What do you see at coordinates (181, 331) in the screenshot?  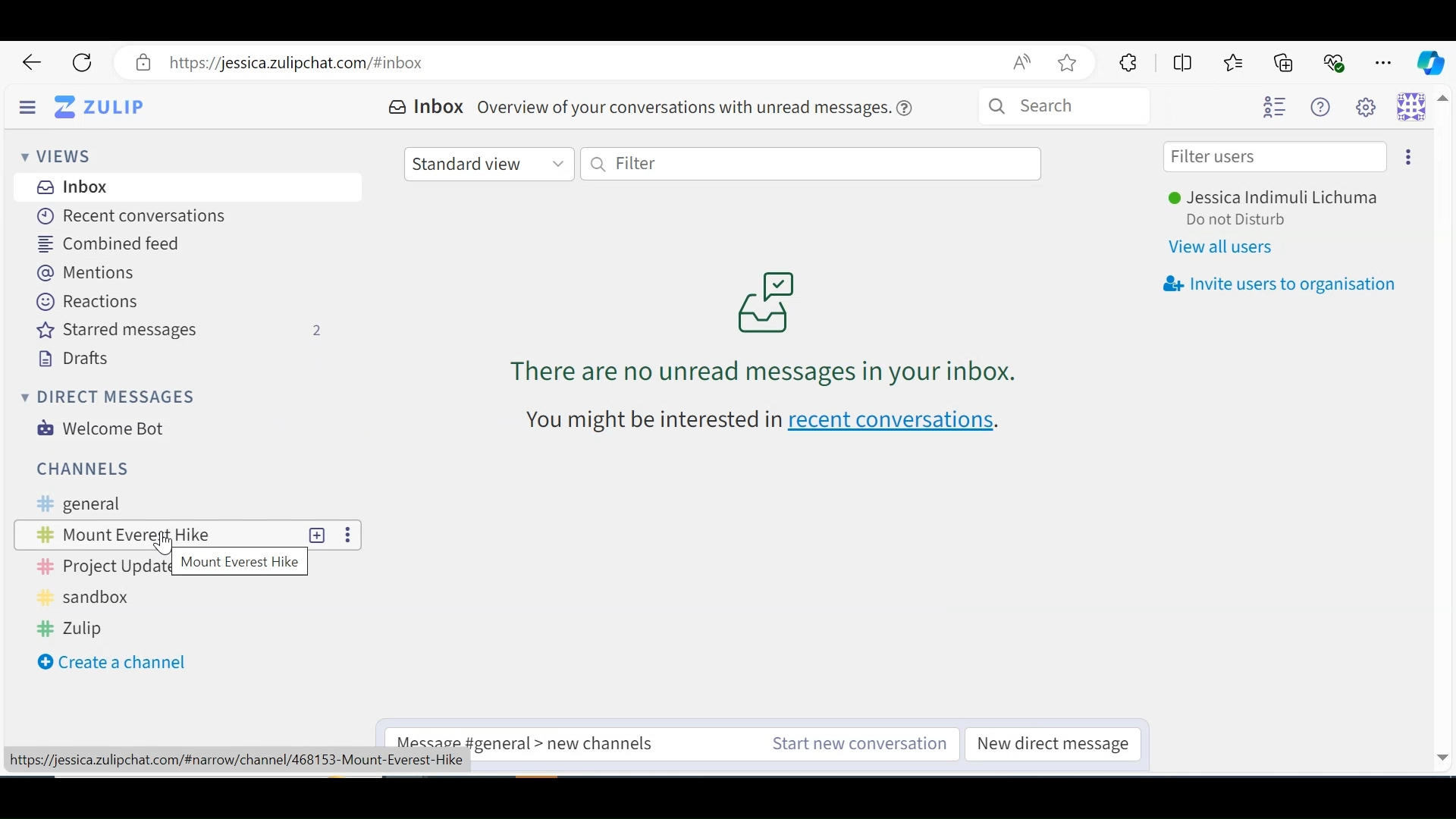 I see `Starred messages` at bounding box center [181, 331].